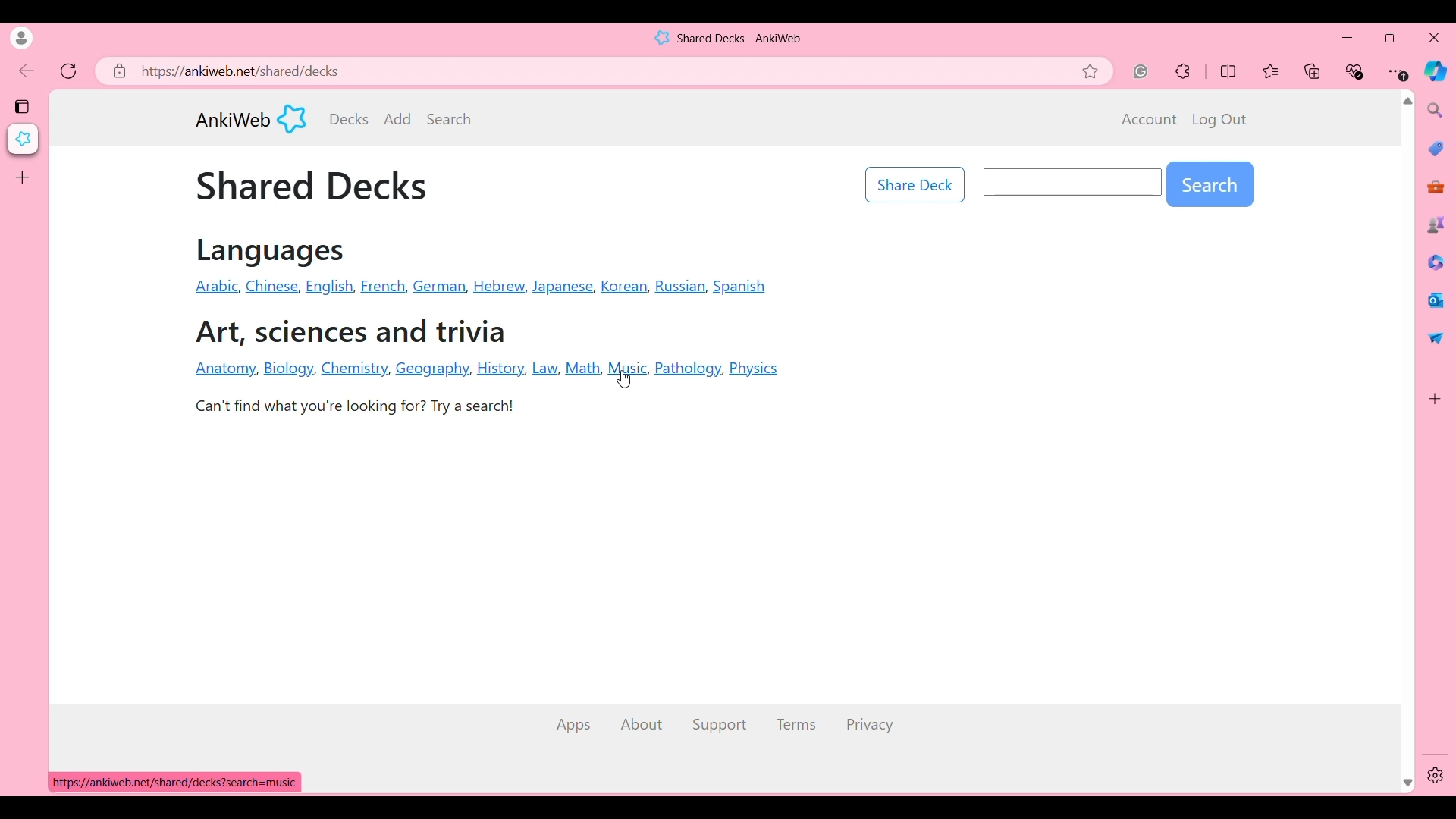 The width and height of the screenshot is (1456, 819). Describe the element at coordinates (1407, 101) in the screenshot. I see `Quick slide to top` at that location.